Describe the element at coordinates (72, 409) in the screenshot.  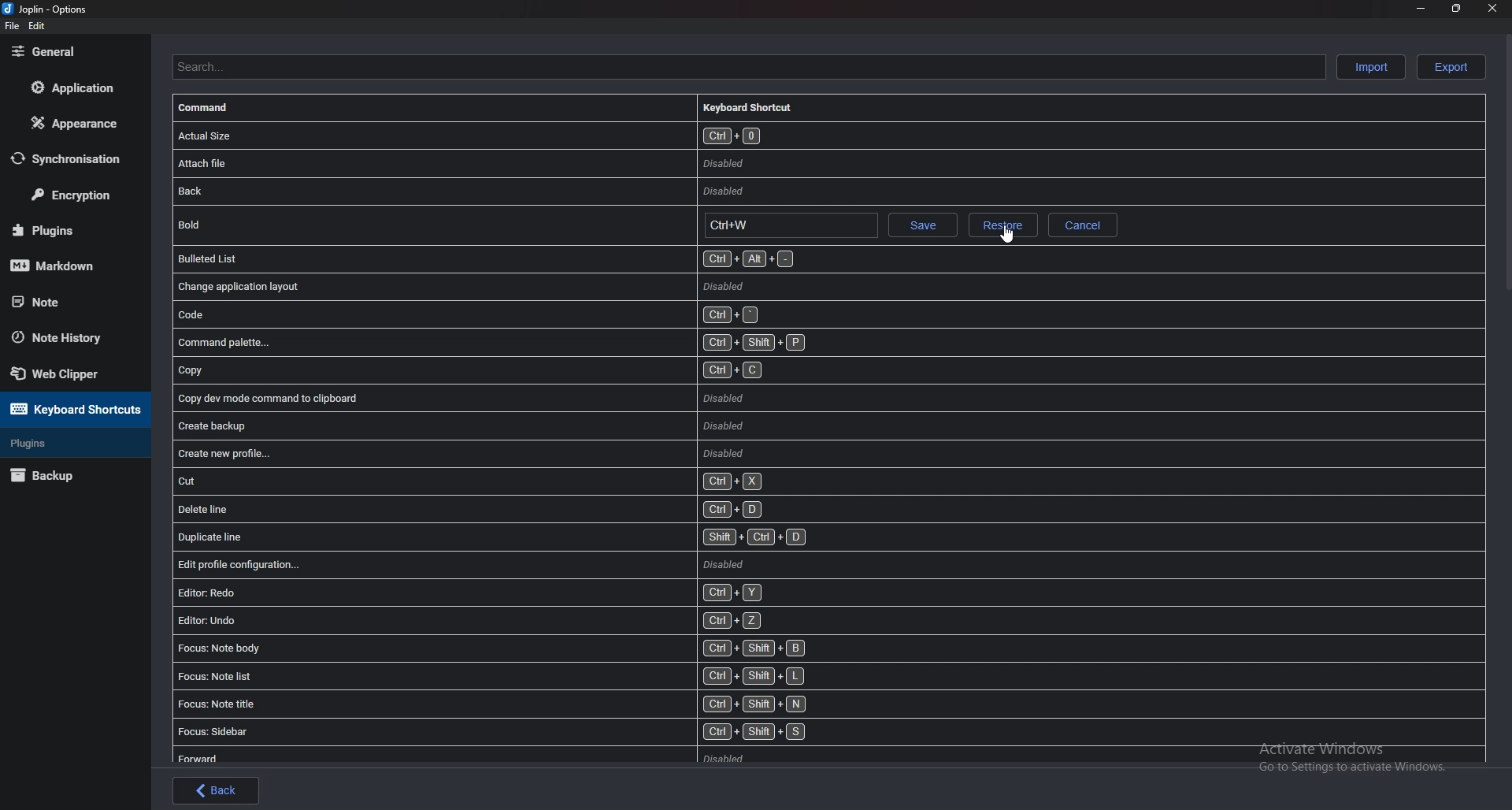
I see `Keyboard shortcuts` at that location.